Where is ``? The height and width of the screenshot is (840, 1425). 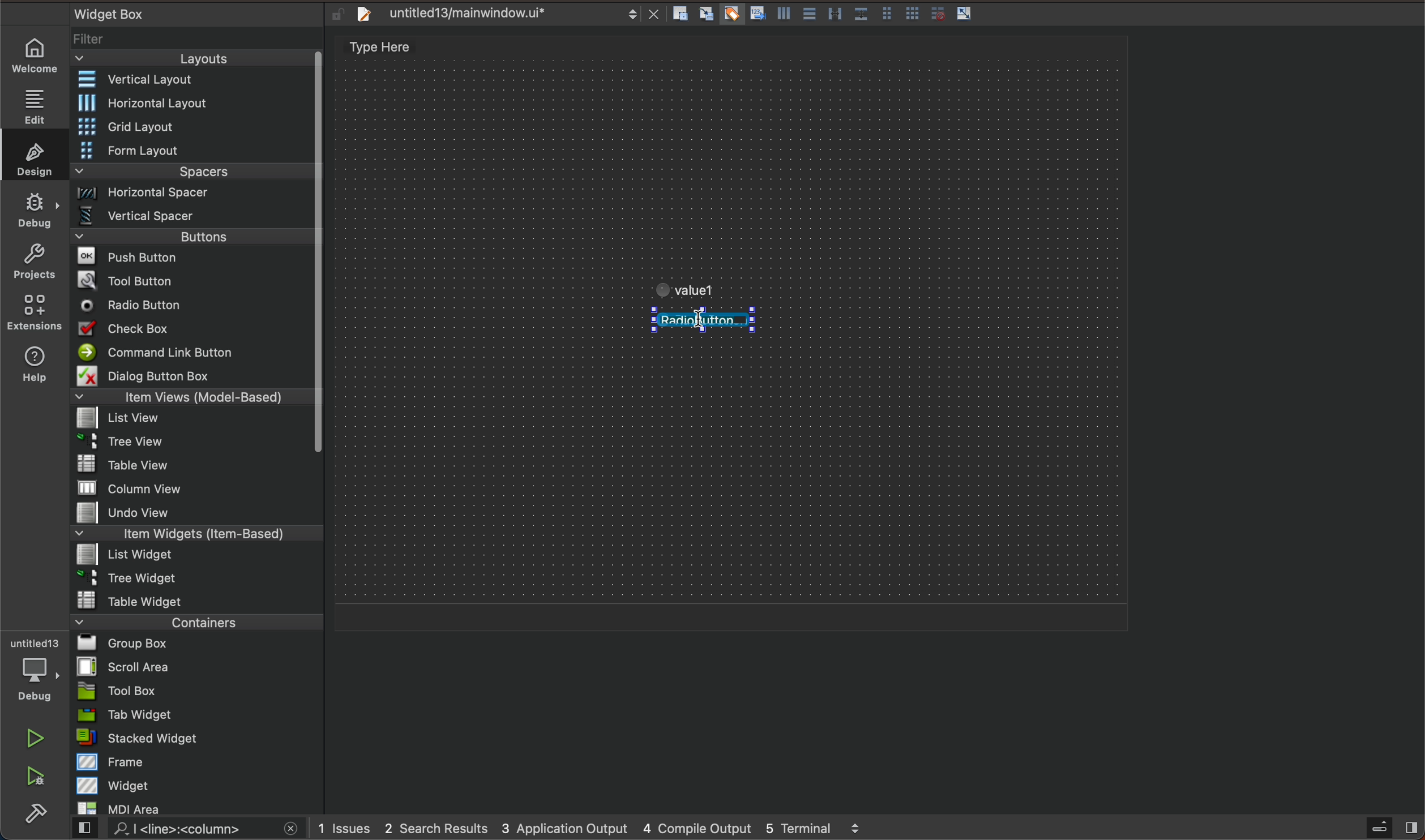
 is located at coordinates (935, 14).